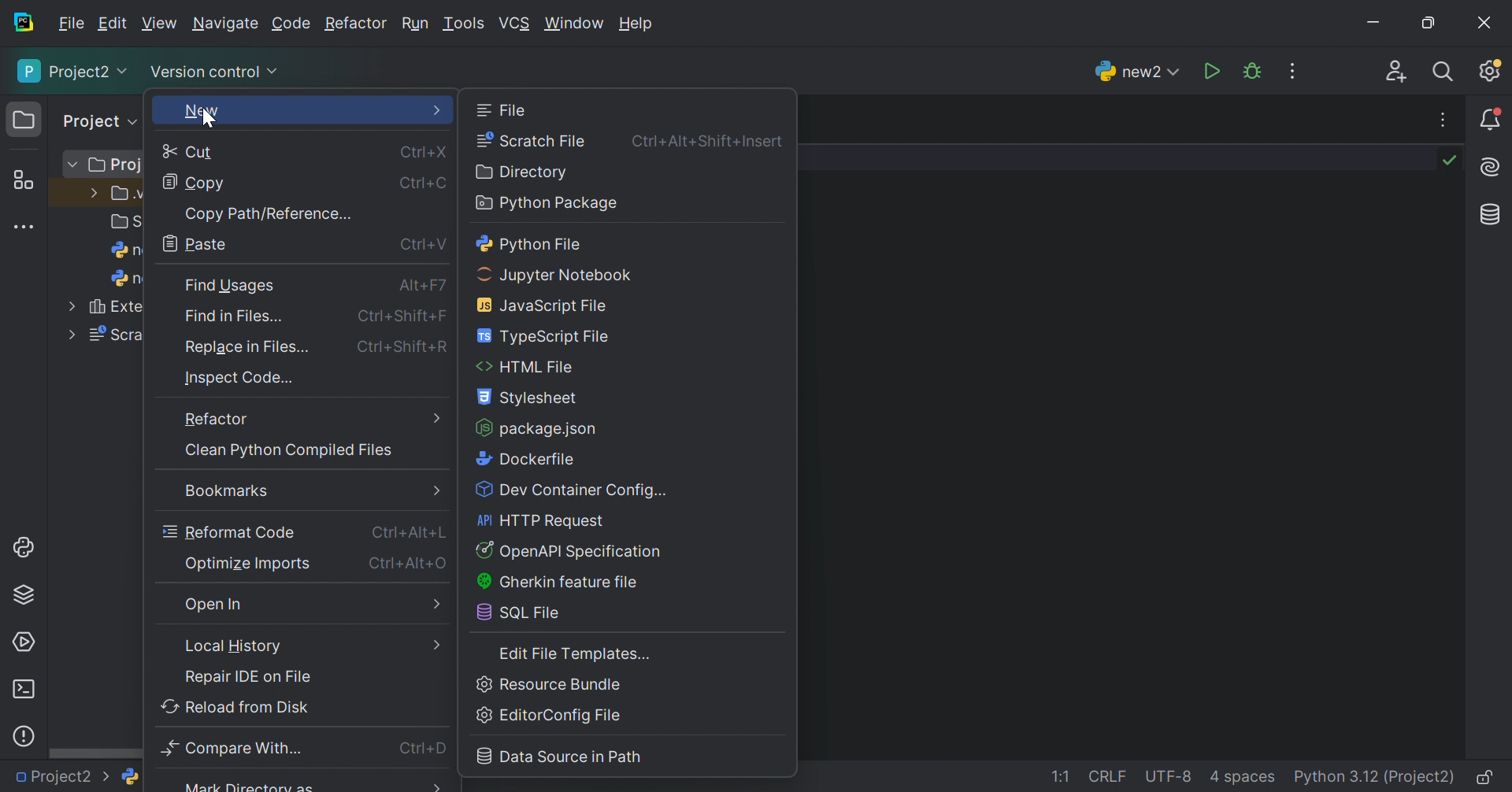 This screenshot has width=1512, height=792. I want to click on Tool, so click(464, 25).